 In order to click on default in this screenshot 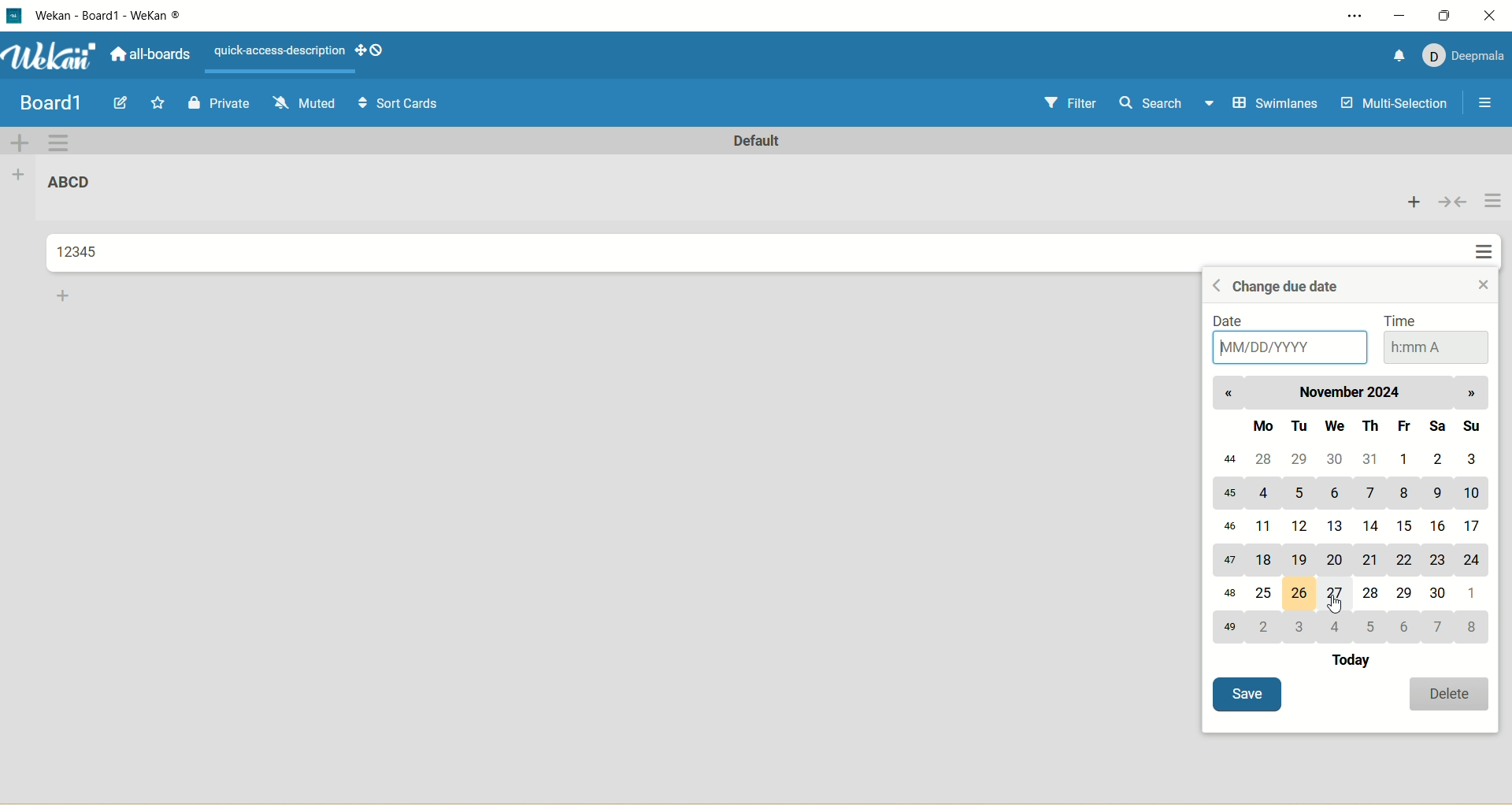, I will do `click(758, 141)`.